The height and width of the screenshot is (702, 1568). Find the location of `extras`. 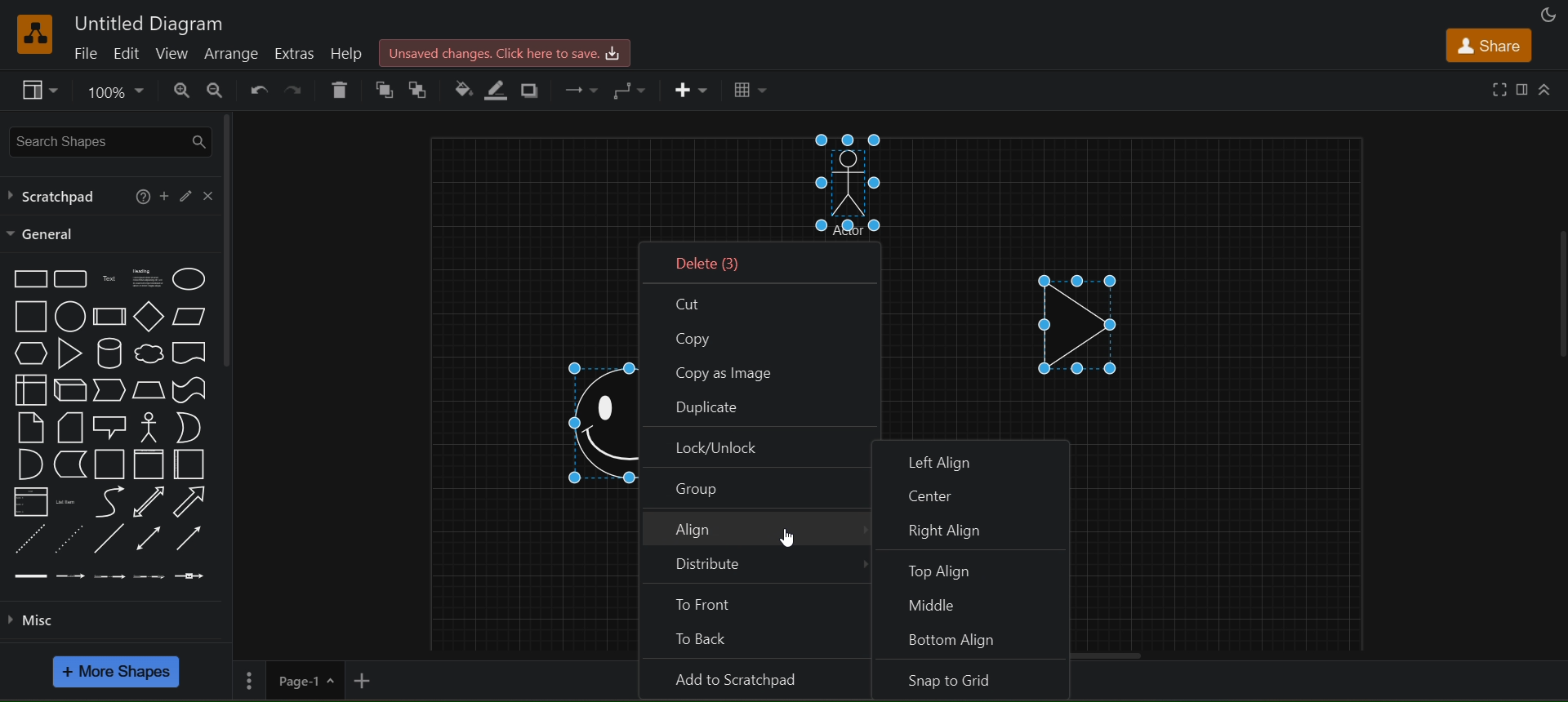

extras is located at coordinates (296, 54).